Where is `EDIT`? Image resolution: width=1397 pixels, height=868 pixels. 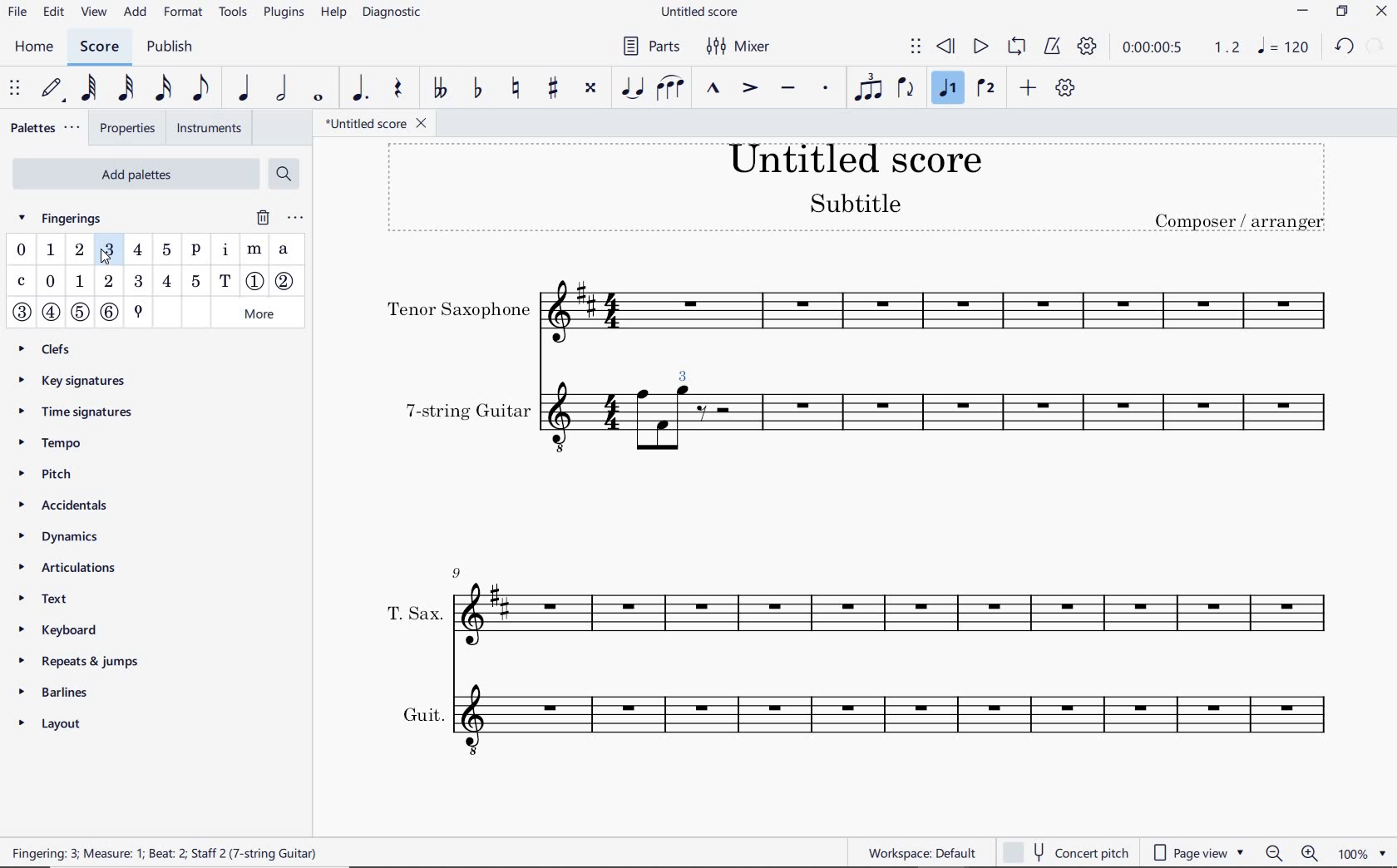 EDIT is located at coordinates (52, 13).